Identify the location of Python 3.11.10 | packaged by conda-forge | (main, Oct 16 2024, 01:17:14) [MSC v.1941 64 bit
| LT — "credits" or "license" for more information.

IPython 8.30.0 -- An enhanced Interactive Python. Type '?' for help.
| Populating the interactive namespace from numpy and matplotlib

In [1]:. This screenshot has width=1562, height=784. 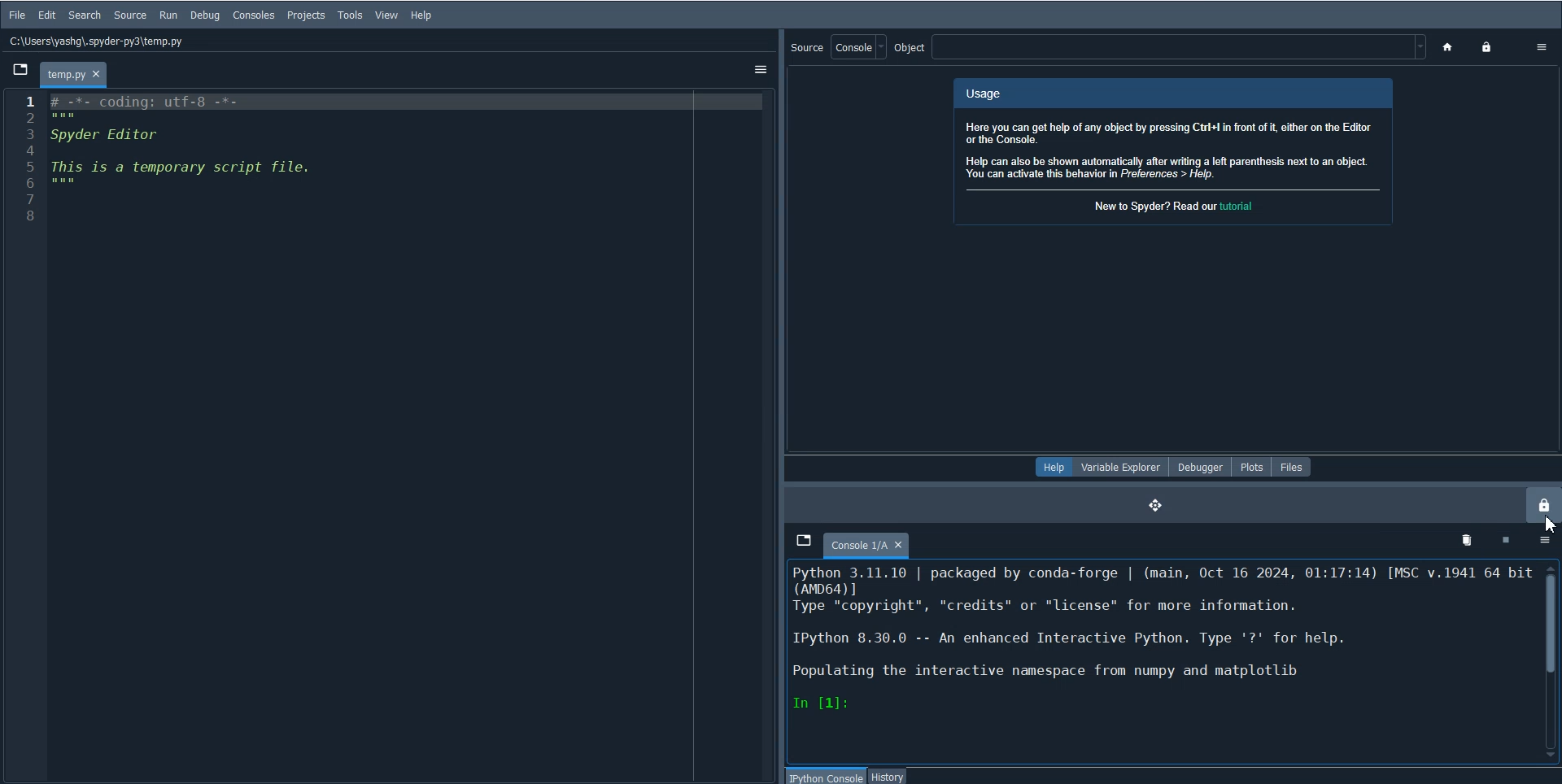
(1165, 639).